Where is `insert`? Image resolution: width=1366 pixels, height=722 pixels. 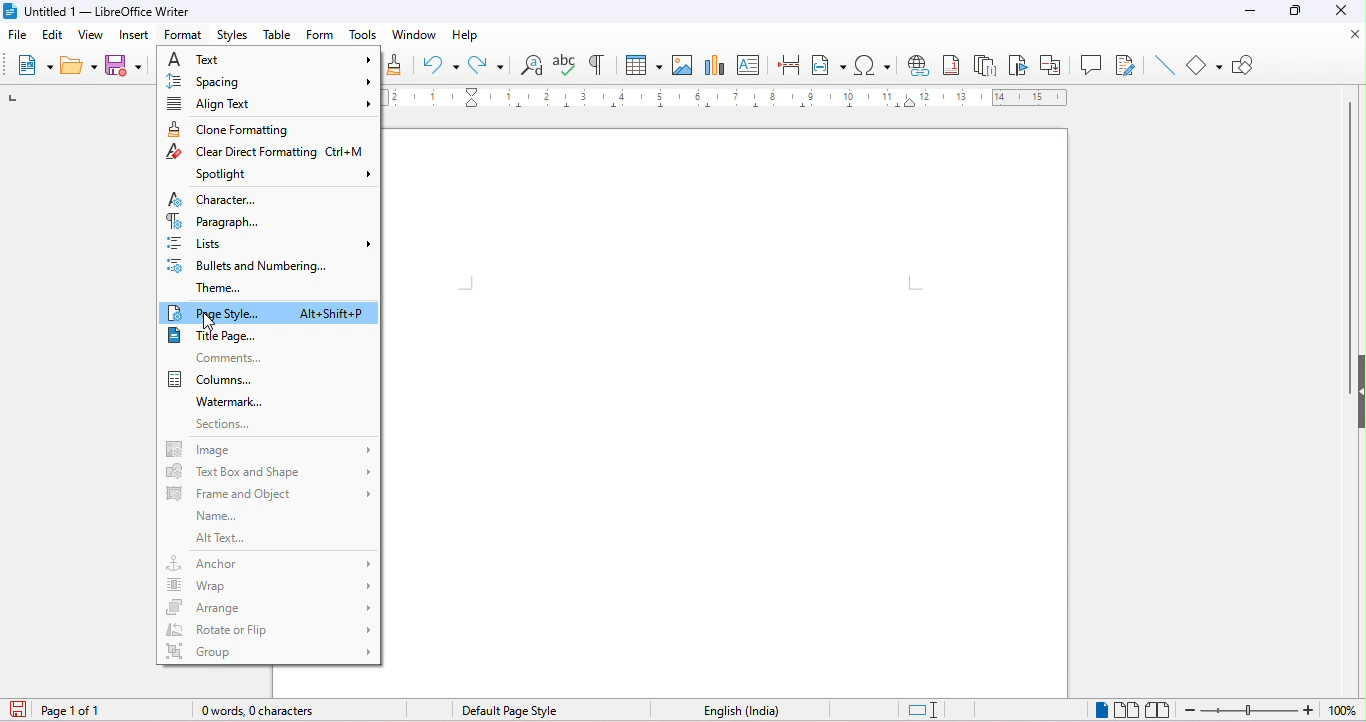 insert is located at coordinates (136, 37).